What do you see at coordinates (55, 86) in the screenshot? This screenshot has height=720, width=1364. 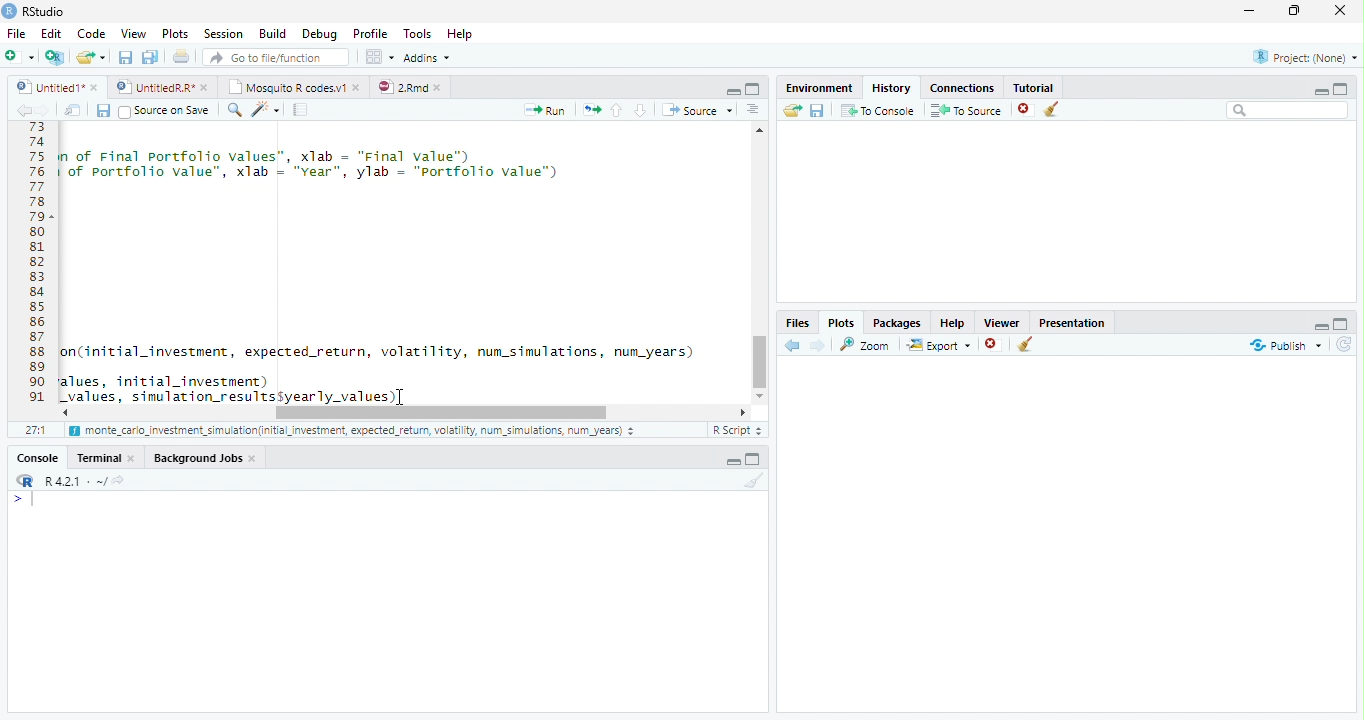 I see `Untited1*` at bounding box center [55, 86].